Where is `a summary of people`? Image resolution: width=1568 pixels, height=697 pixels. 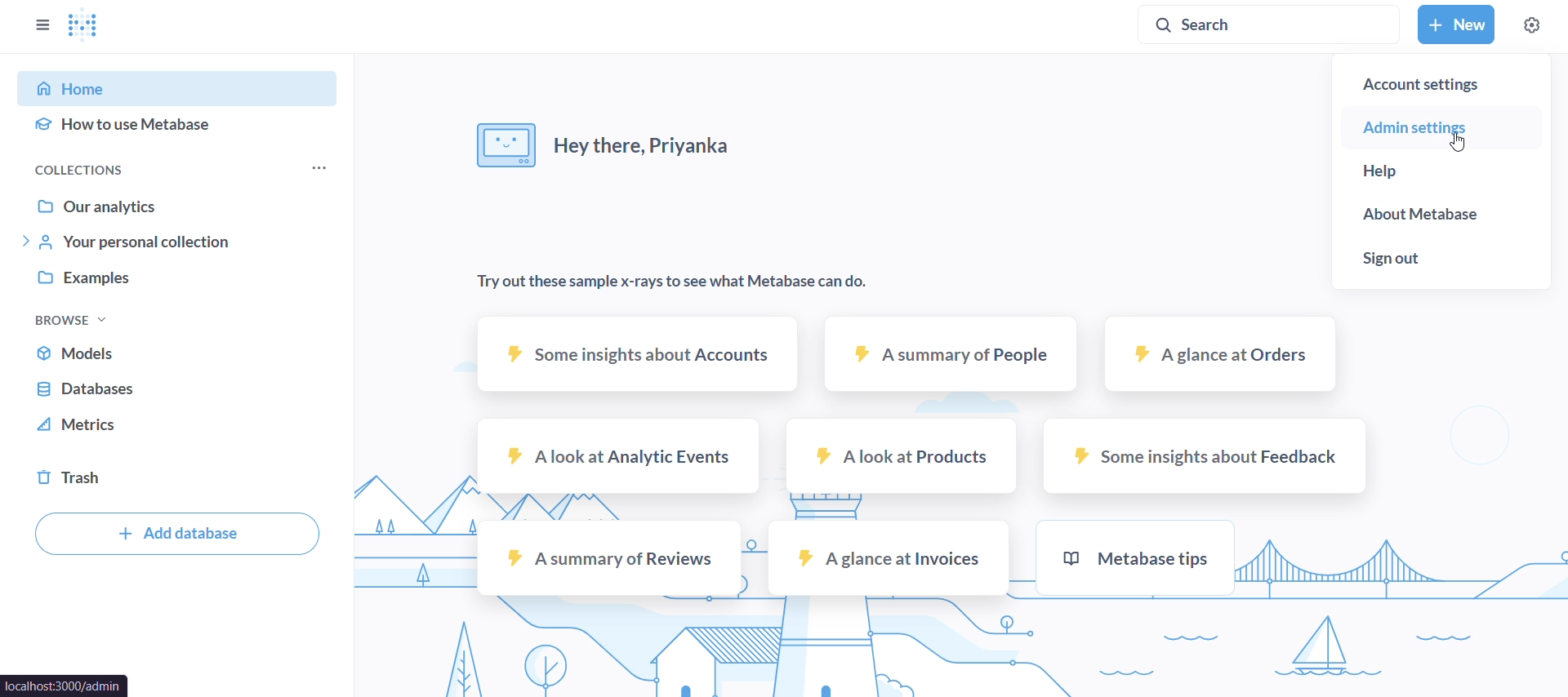 a summary of people is located at coordinates (949, 353).